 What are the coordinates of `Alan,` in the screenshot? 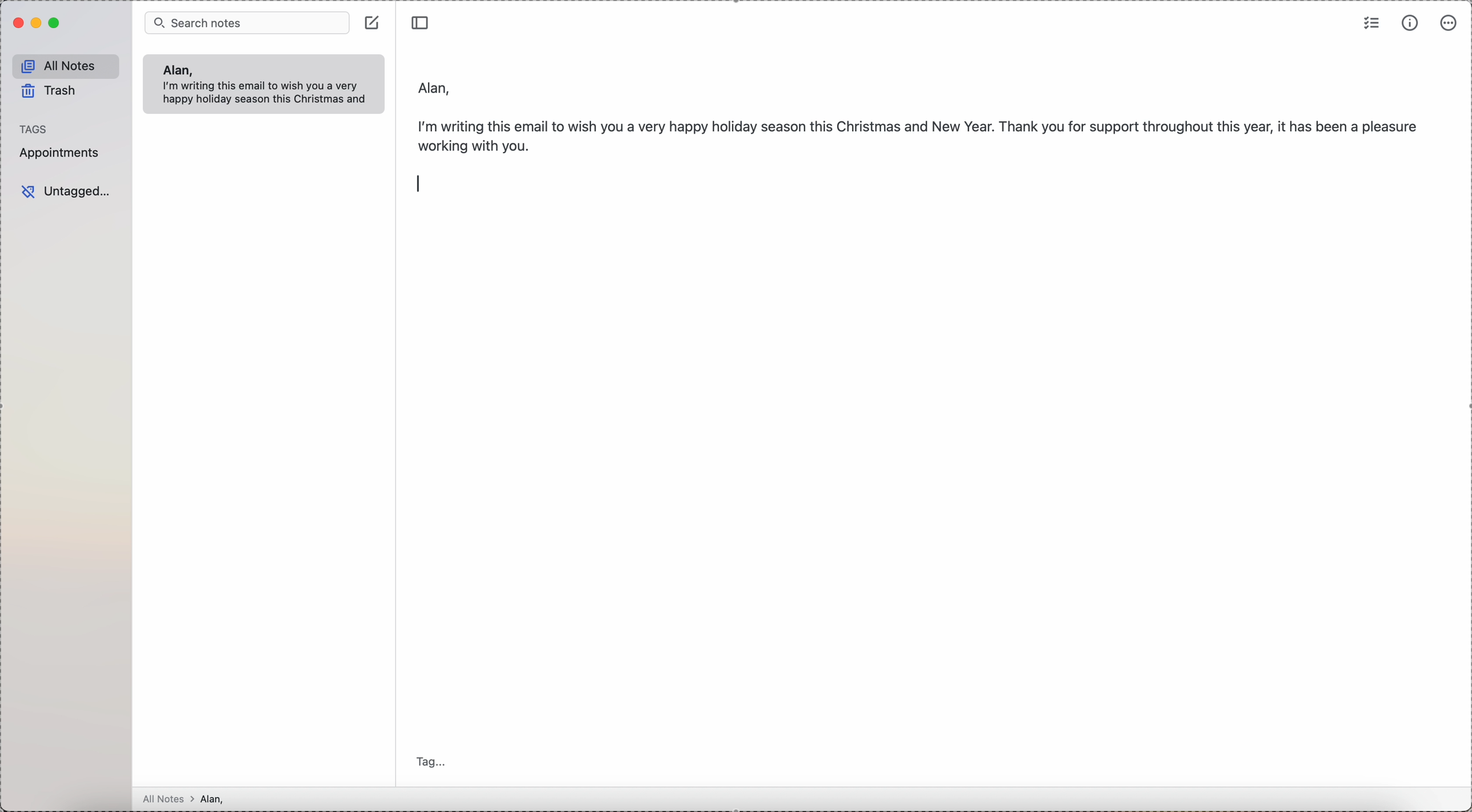 It's located at (177, 70).